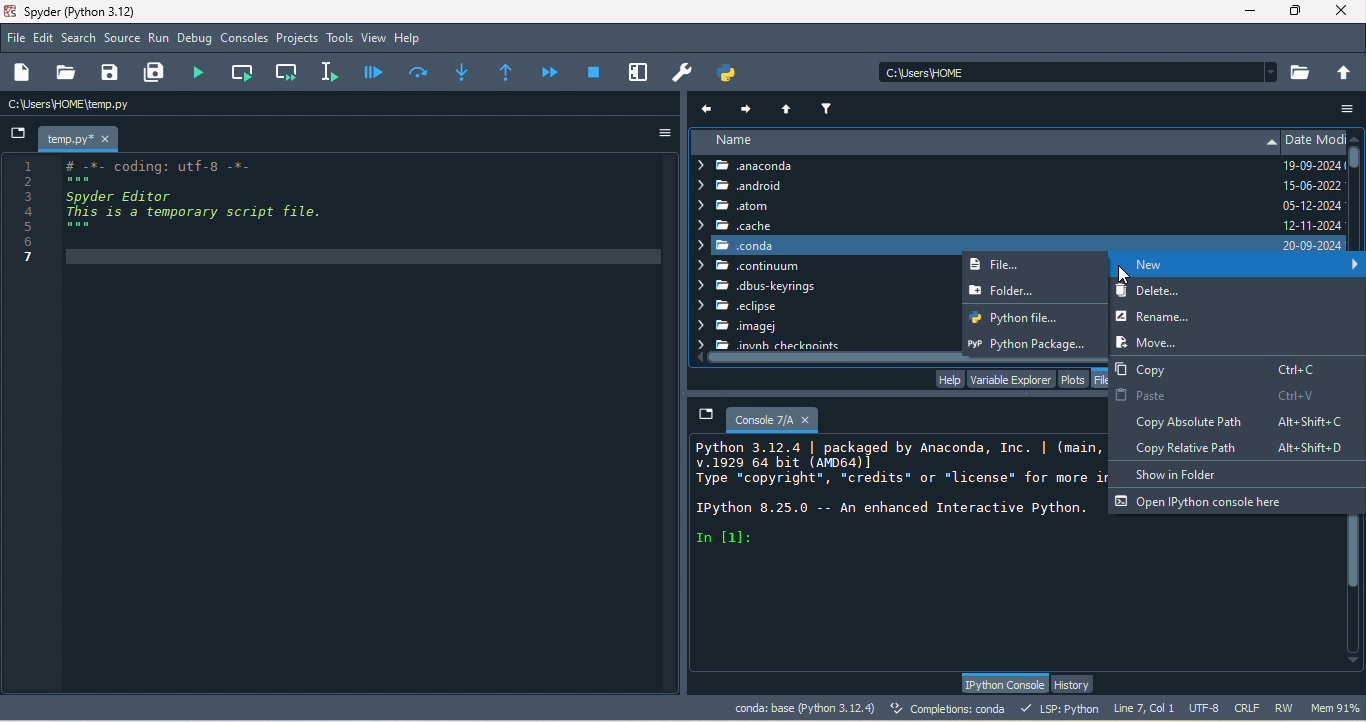 This screenshot has height=722, width=1366. What do you see at coordinates (1232, 420) in the screenshot?
I see `copy absolute path` at bounding box center [1232, 420].